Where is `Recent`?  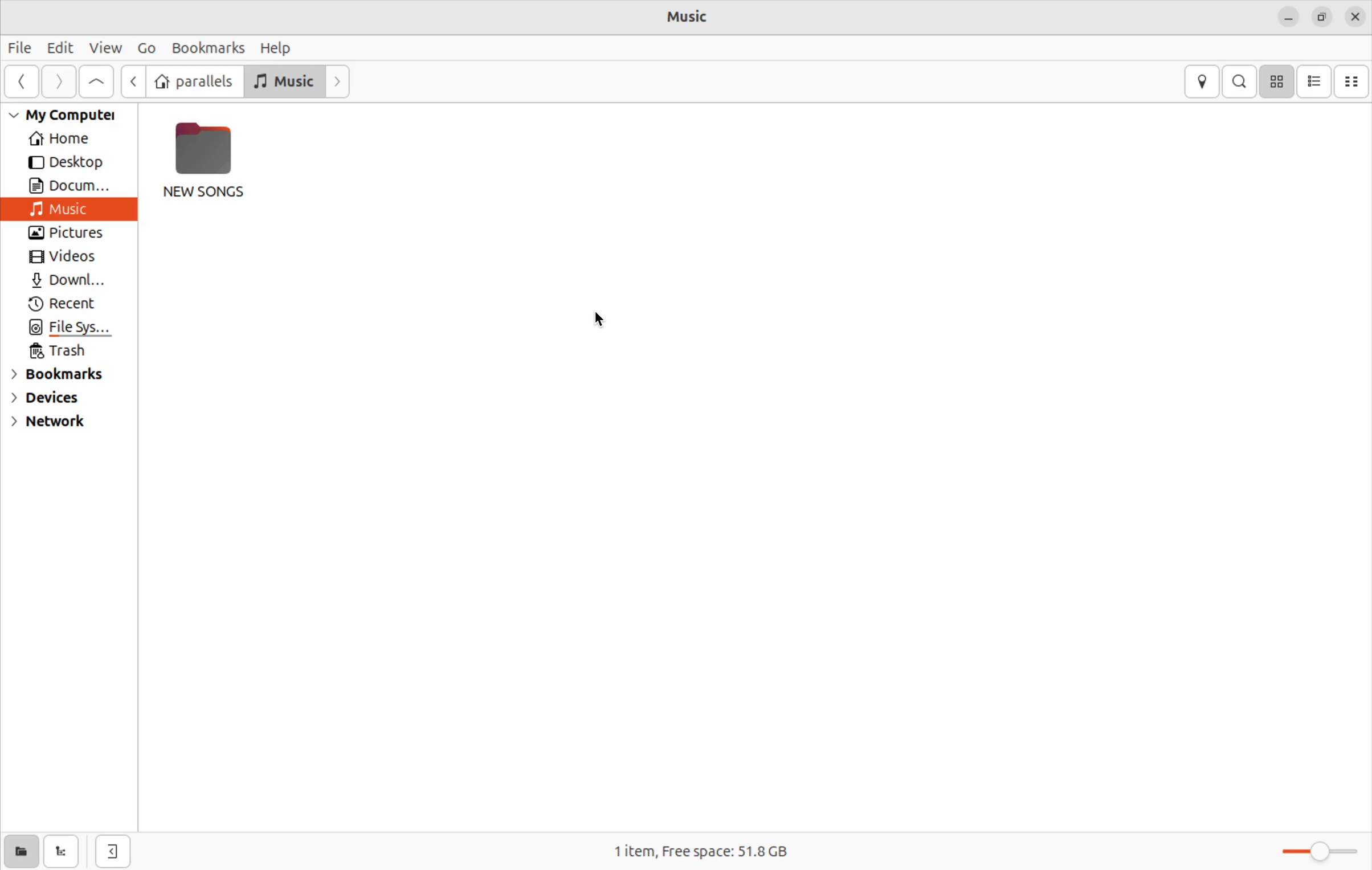 Recent is located at coordinates (70, 304).